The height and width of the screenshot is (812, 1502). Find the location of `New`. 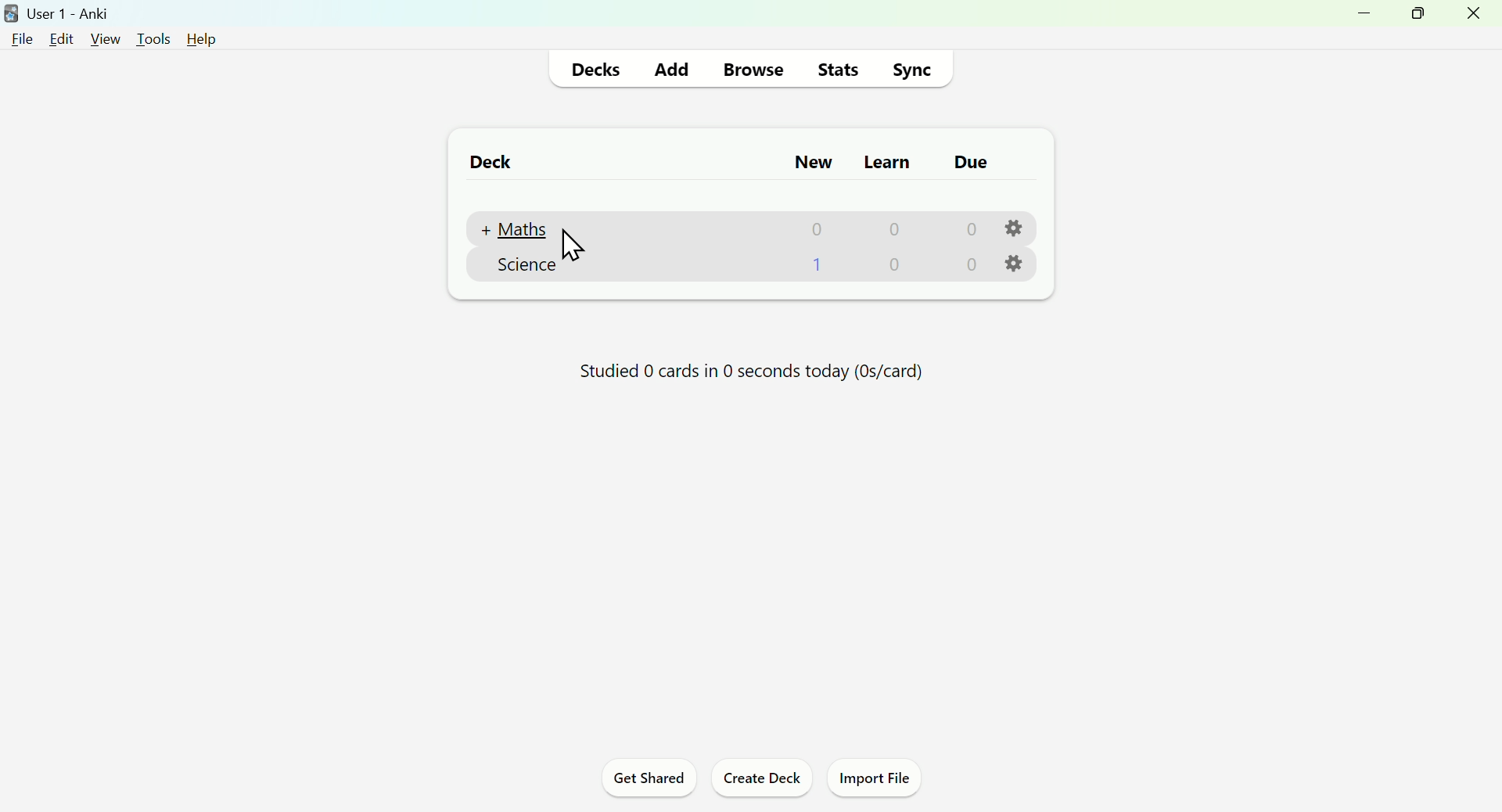

New is located at coordinates (814, 163).